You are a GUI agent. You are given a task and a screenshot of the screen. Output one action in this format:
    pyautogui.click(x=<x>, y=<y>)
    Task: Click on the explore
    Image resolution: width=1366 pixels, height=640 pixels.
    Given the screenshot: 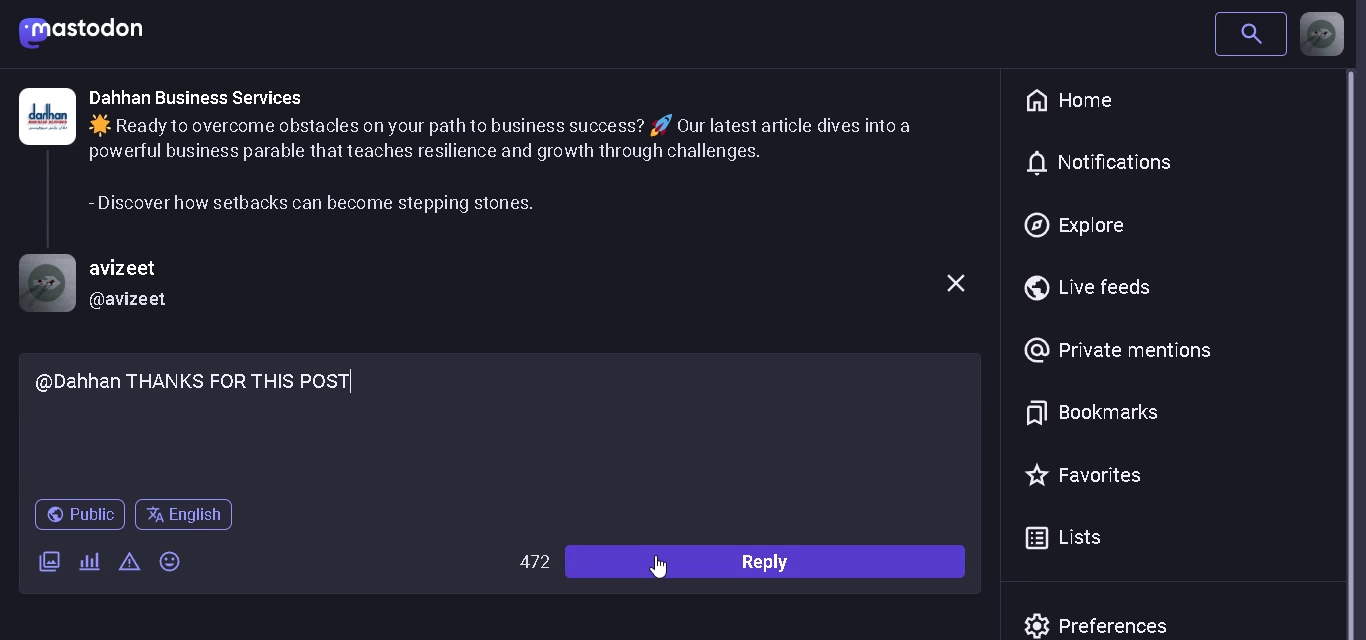 What is the action you would take?
    pyautogui.click(x=1075, y=227)
    